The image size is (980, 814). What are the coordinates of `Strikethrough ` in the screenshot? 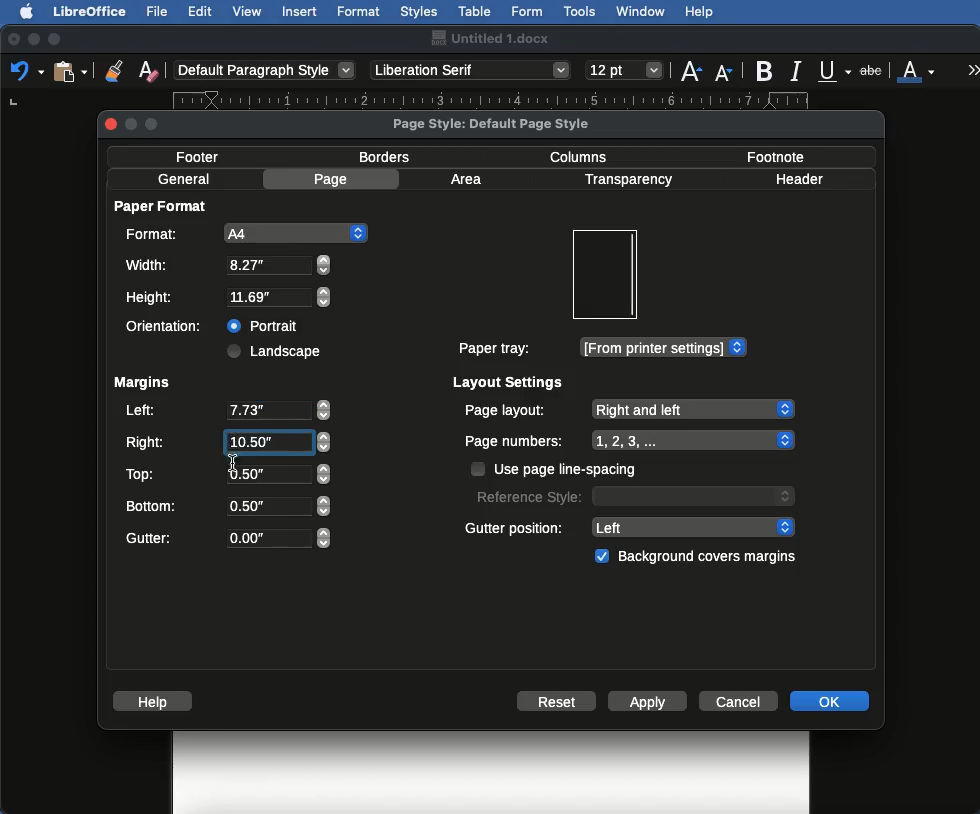 It's located at (873, 69).